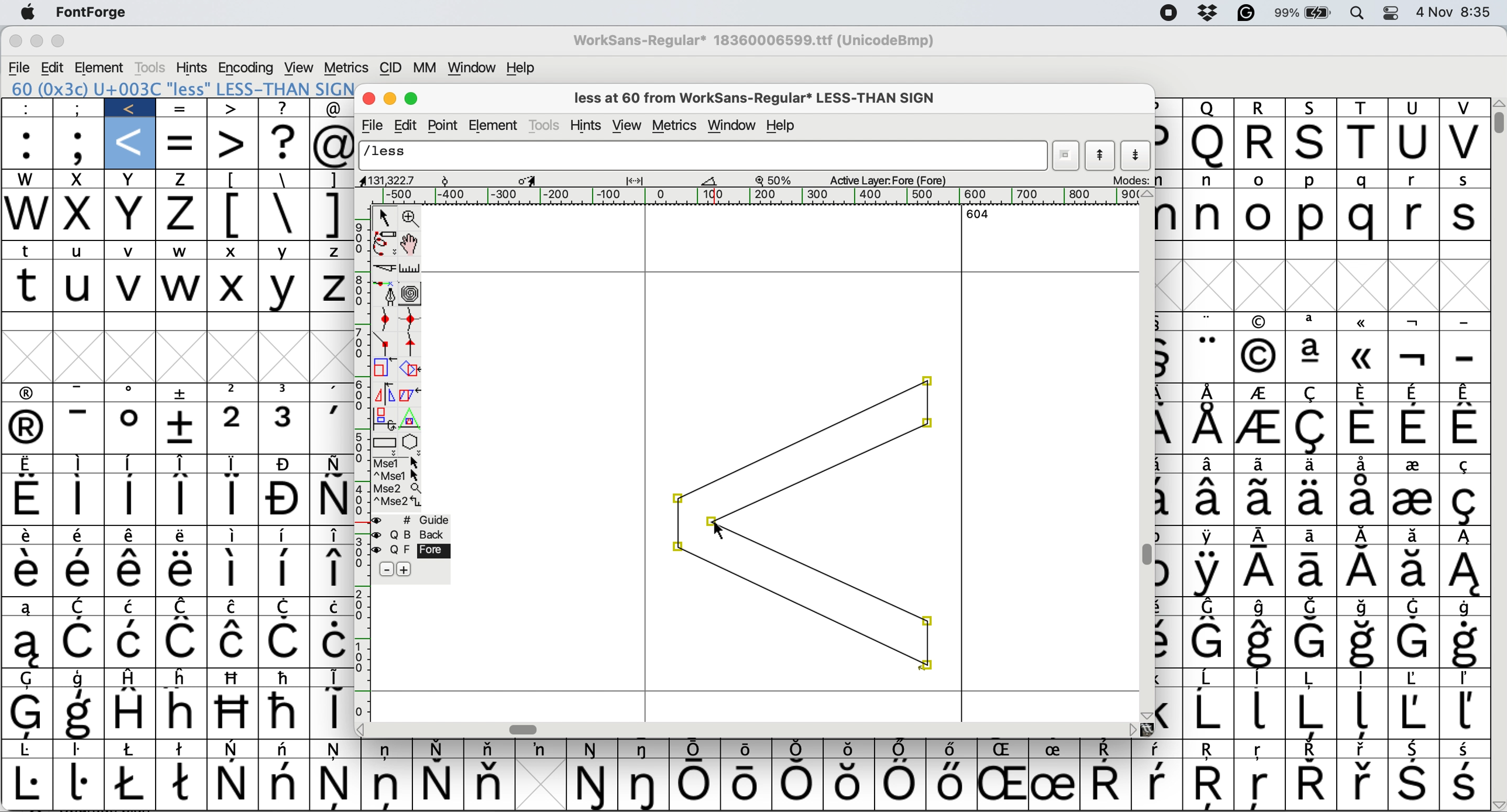 This screenshot has height=812, width=1507. What do you see at coordinates (83, 500) in the screenshot?
I see `Symbol` at bounding box center [83, 500].